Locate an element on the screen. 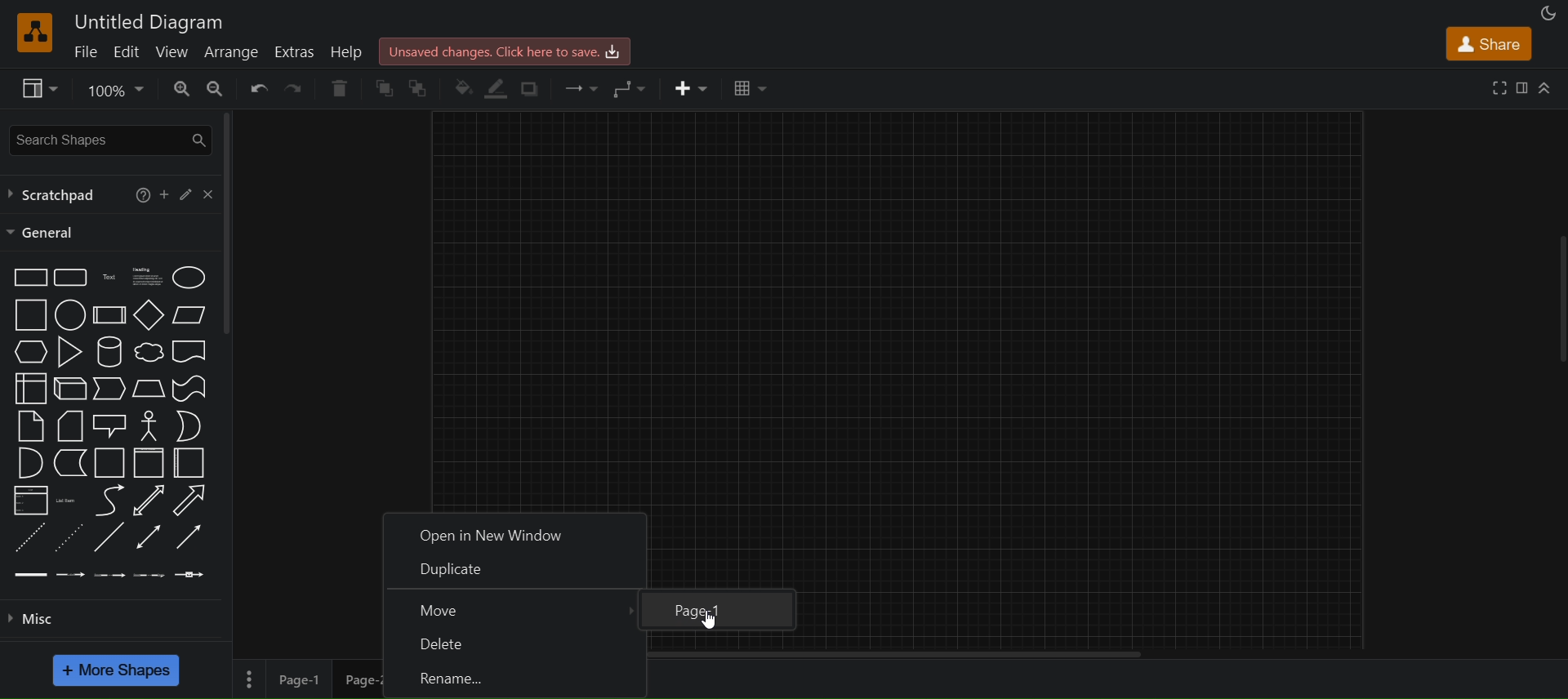  fill color is located at coordinates (463, 86).